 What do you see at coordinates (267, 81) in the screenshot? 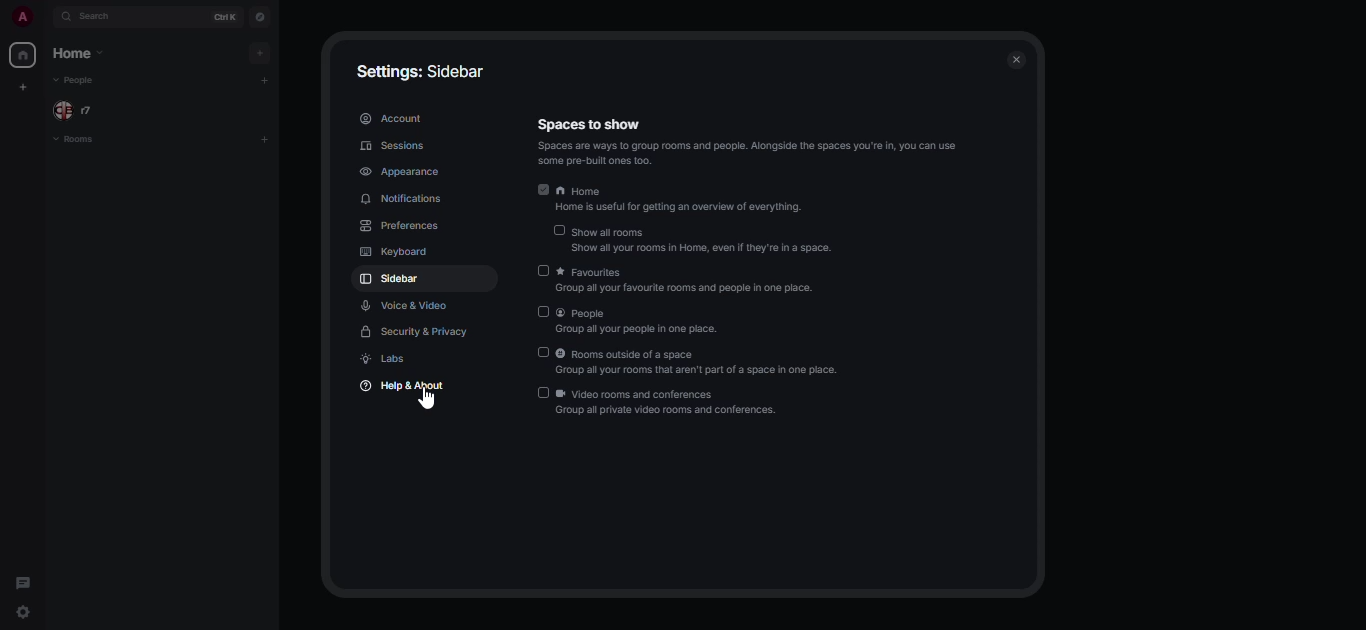
I see `add` at bounding box center [267, 81].